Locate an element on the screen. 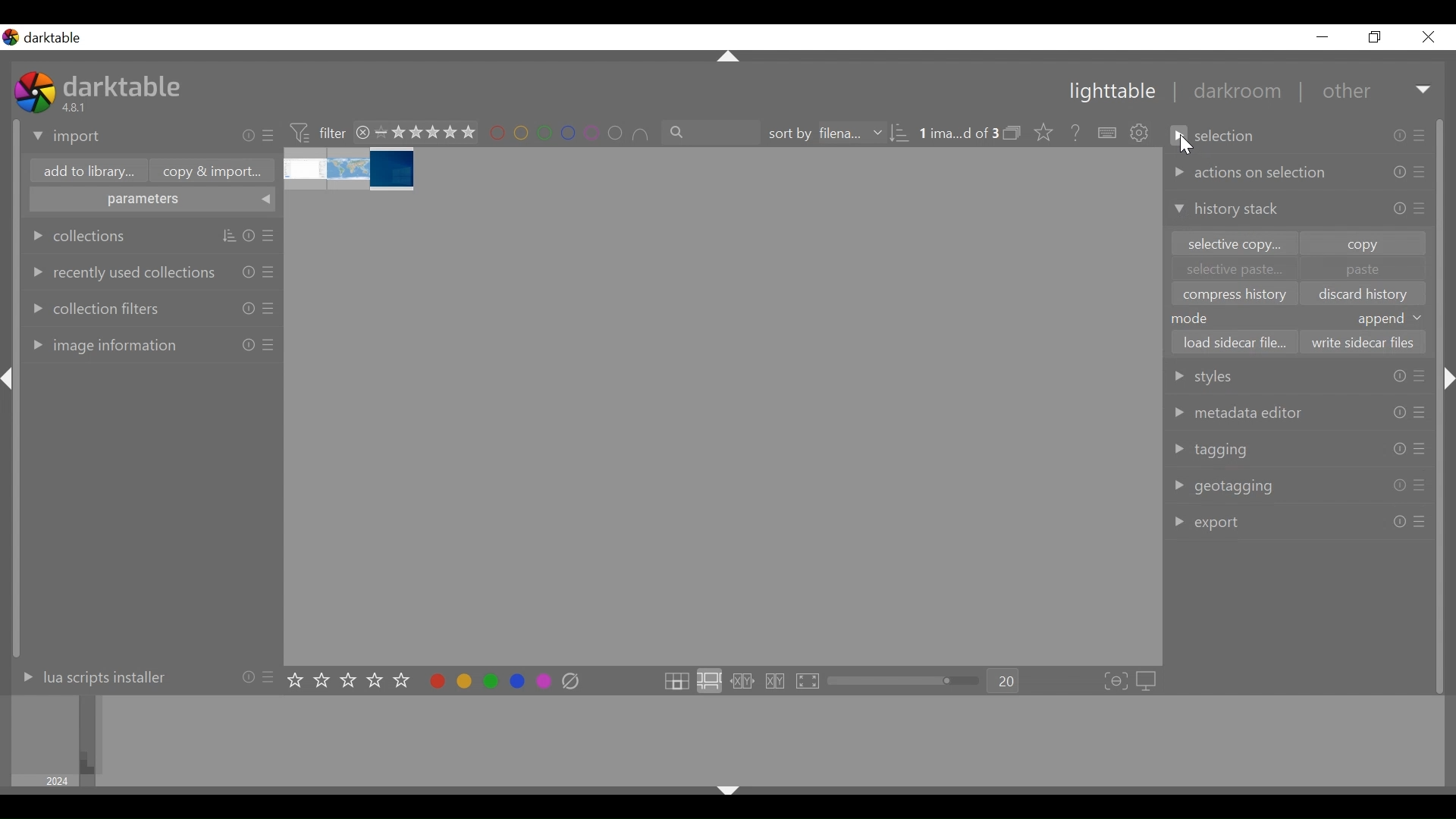 The image size is (1456, 819). close is located at coordinates (363, 132).